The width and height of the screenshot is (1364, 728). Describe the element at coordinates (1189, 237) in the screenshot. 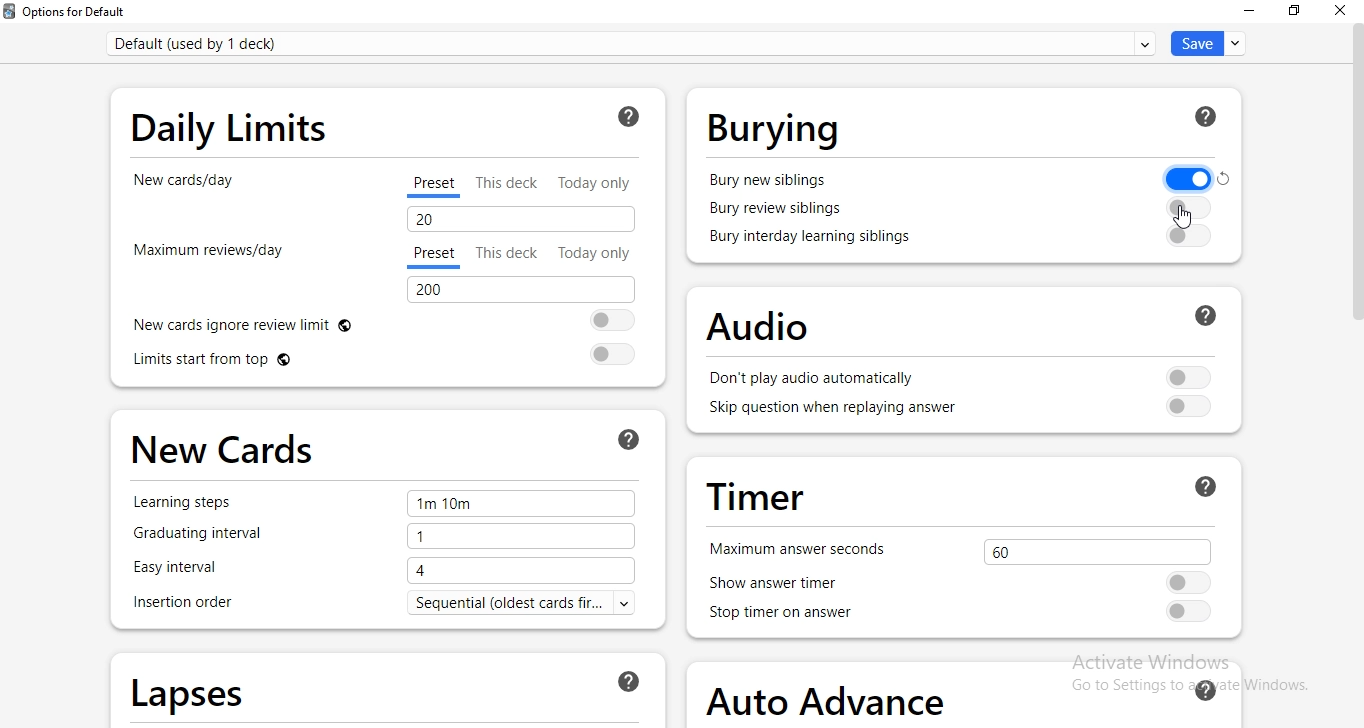

I see `toggle` at that location.